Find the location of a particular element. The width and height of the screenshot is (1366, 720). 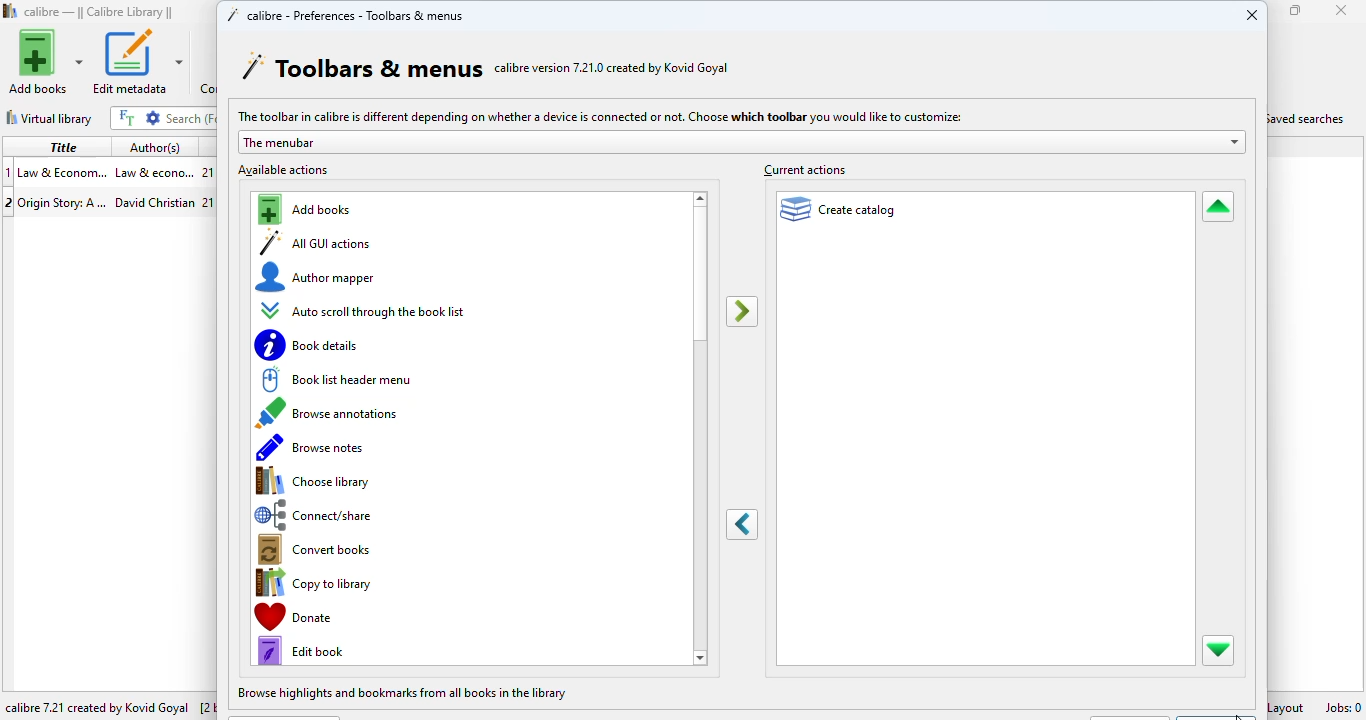

calibre library is located at coordinates (100, 12).